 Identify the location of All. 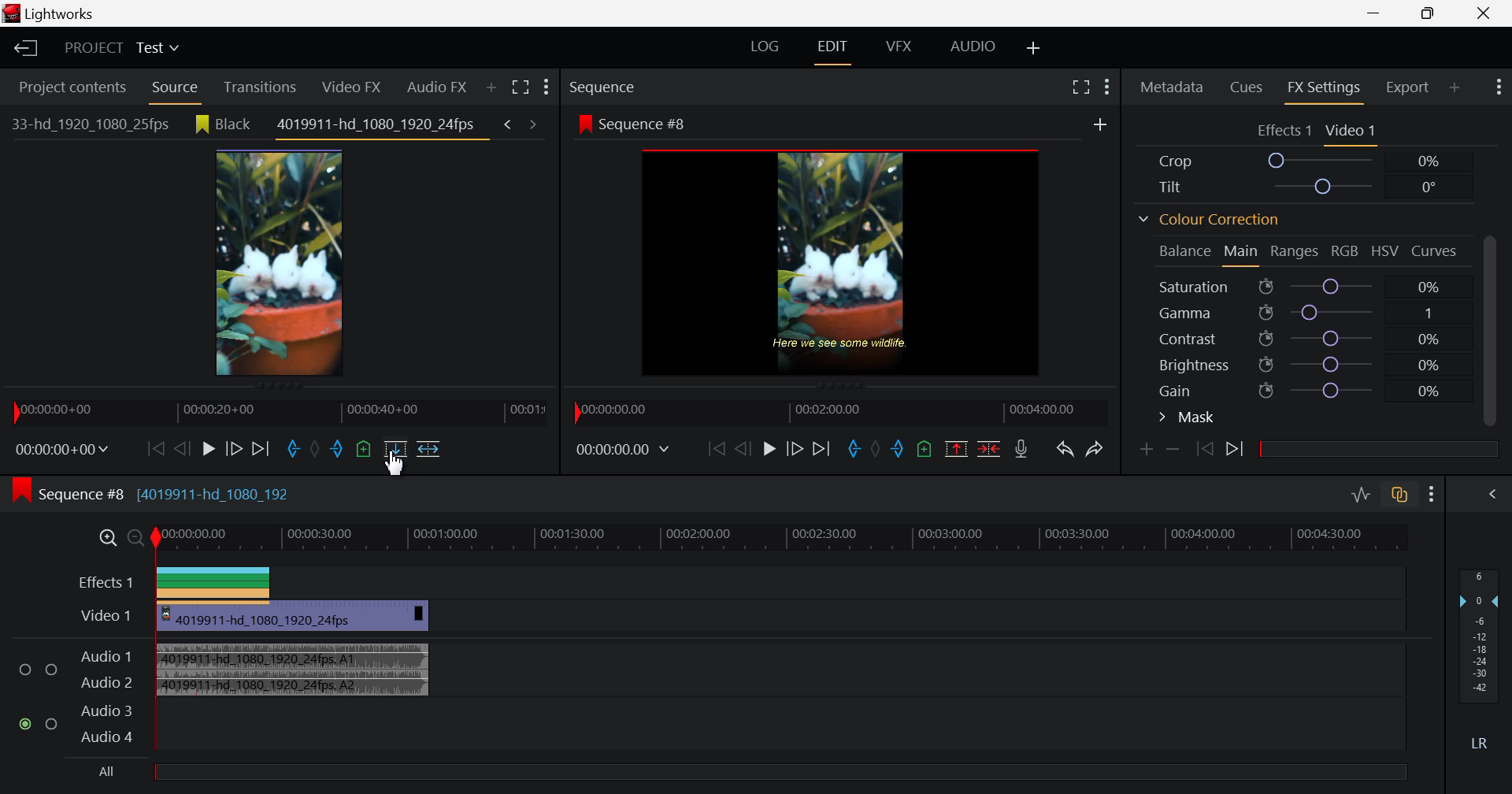
(717, 773).